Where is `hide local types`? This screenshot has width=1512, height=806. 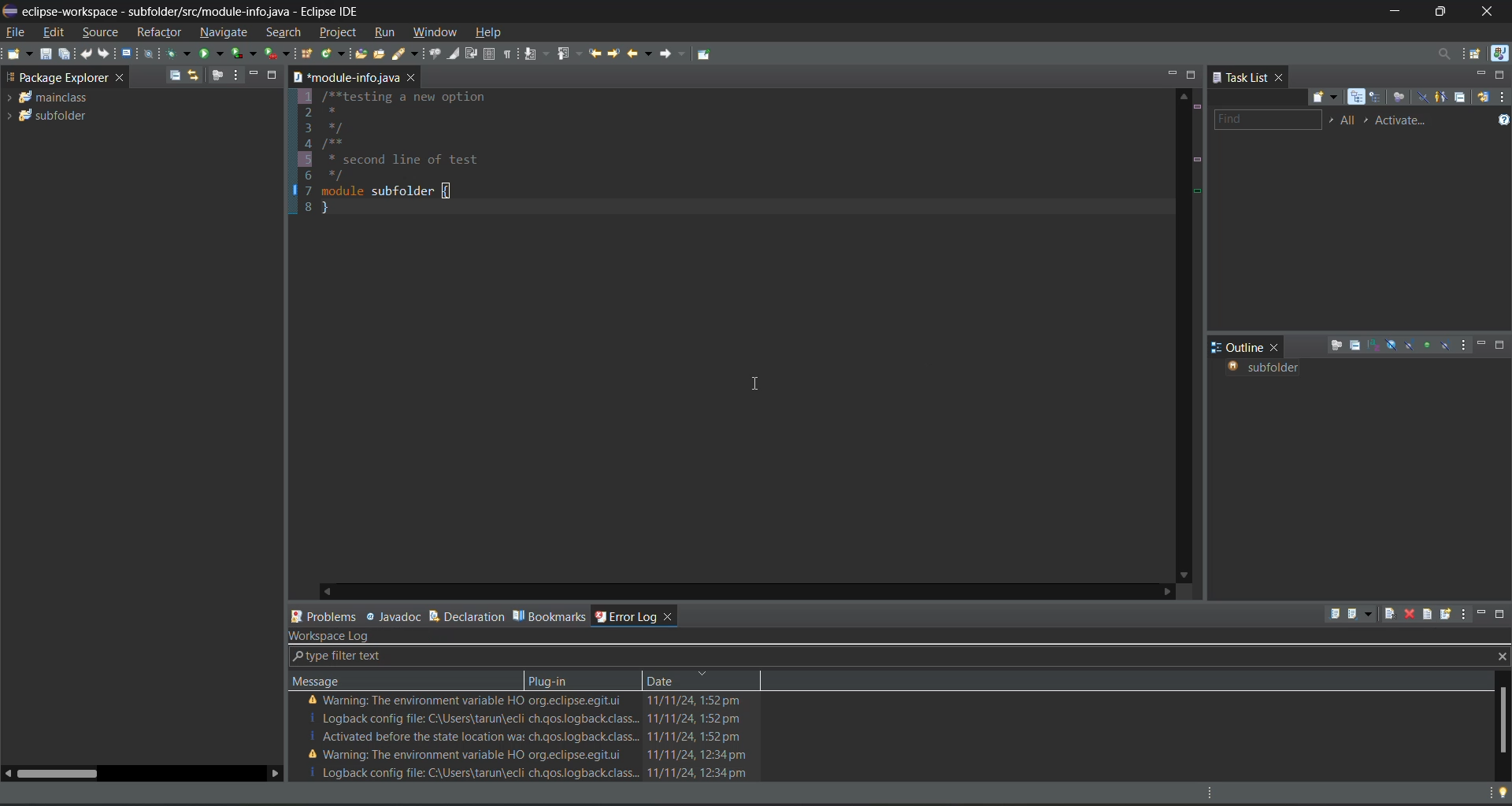 hide local types is located at coordinates (1447, 347).